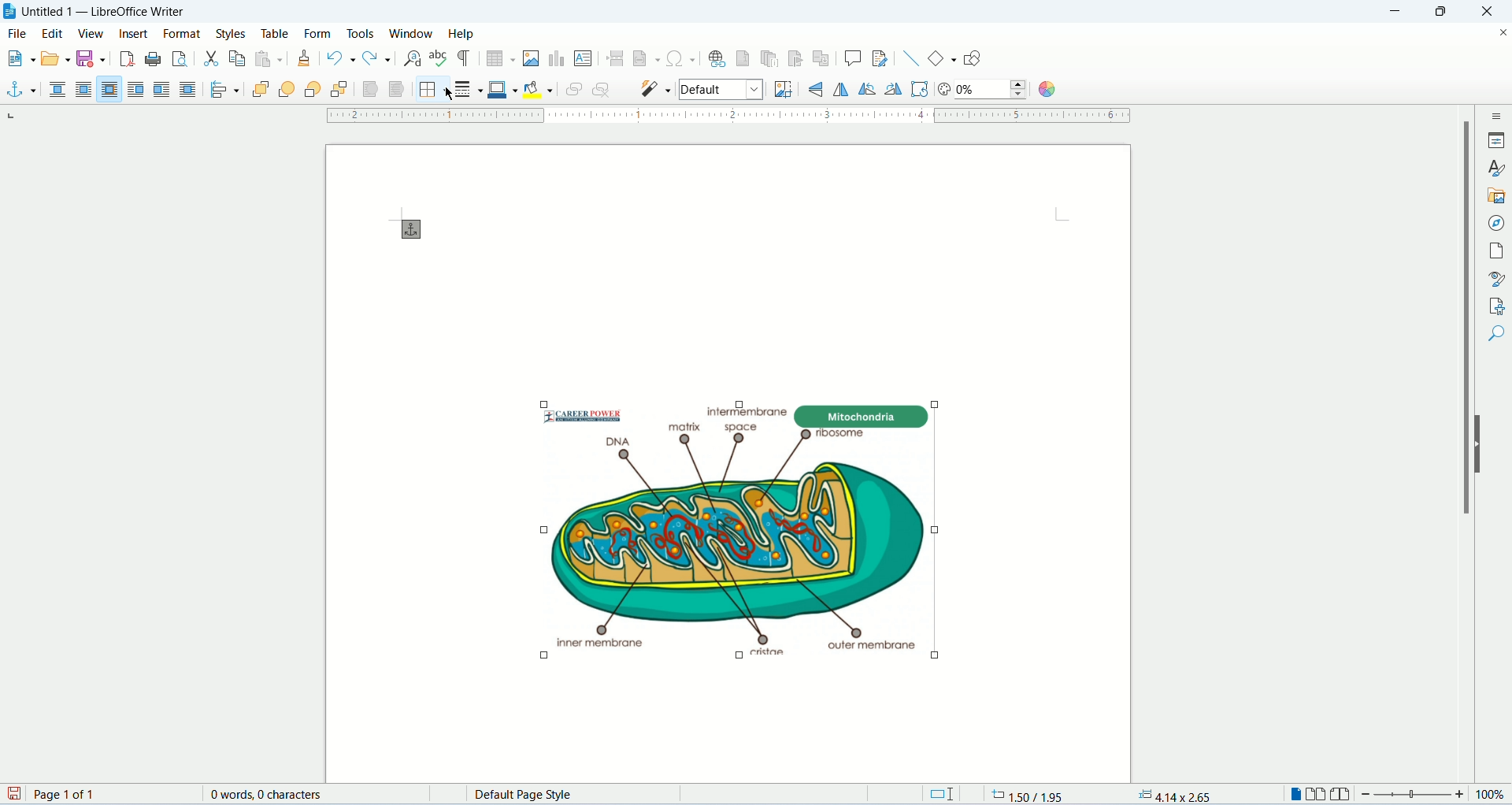 The image size is (1512, 805). What do you see at coordinates (602, 90) in the screenshot?
I see `unlink frames` at bounding box center [602, 90].